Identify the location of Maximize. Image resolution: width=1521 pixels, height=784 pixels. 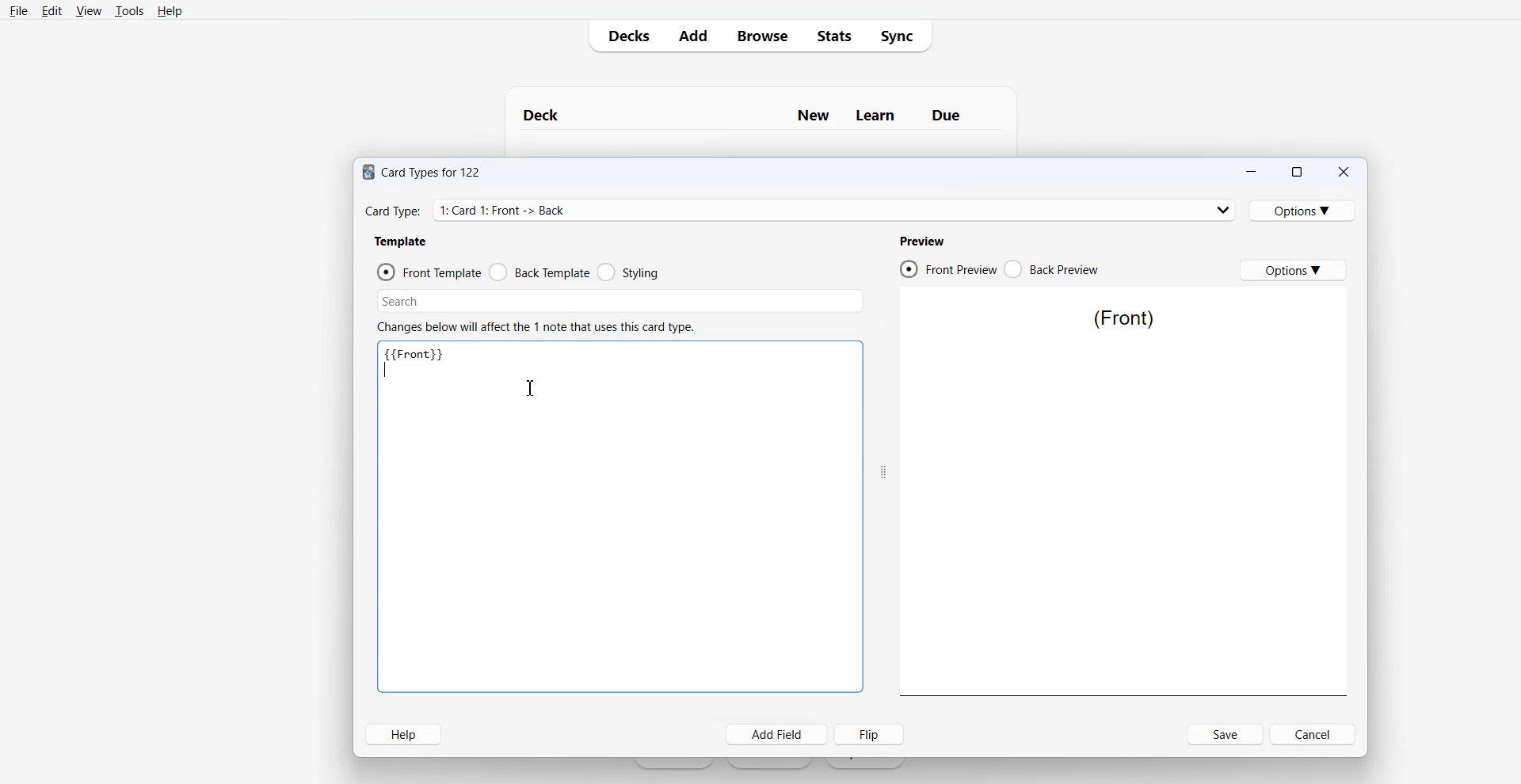
(1297, 171).